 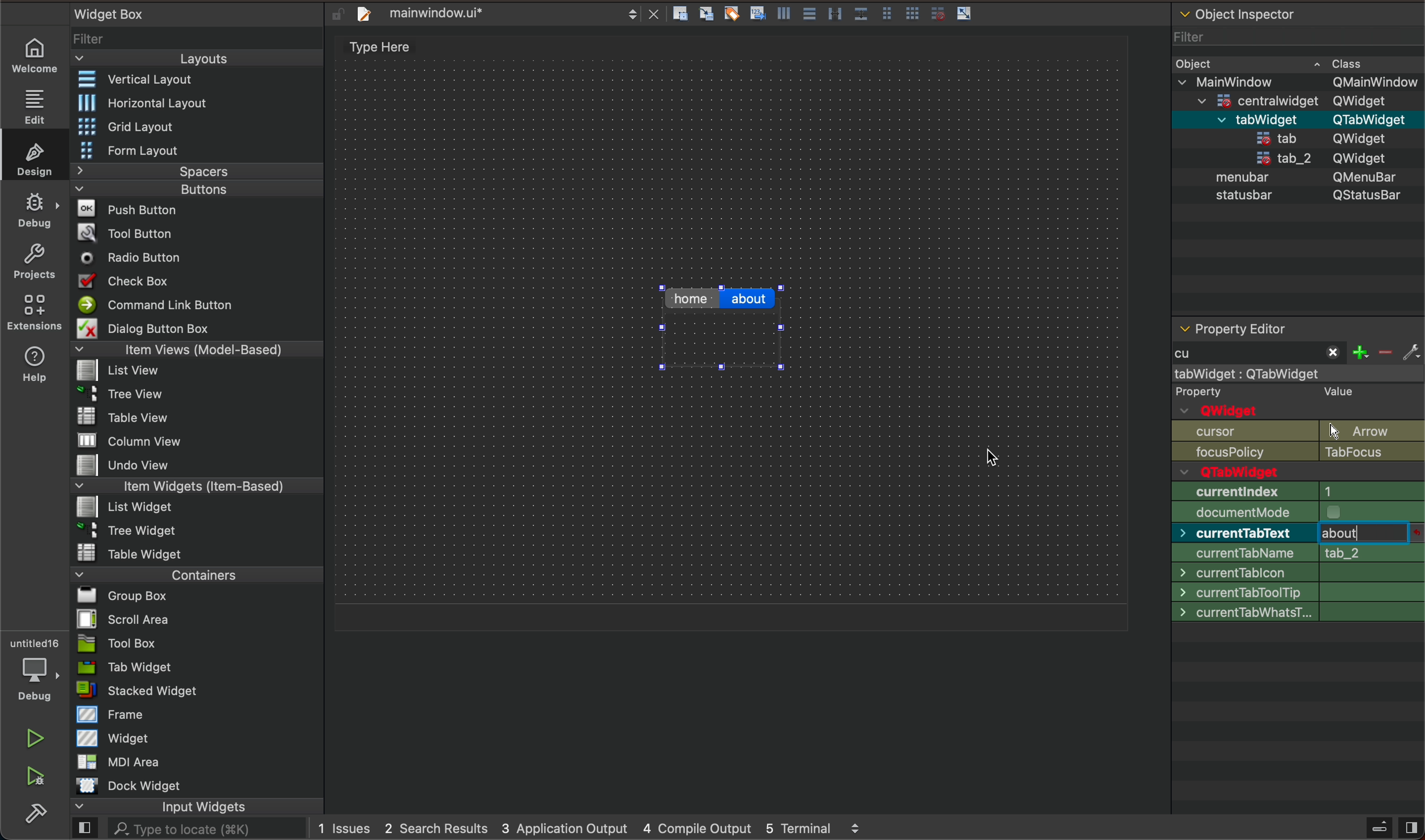 What do you see at coordinates (872, 12) in the screenshot?
I see `layout actions` at bounding box center [872, 12].